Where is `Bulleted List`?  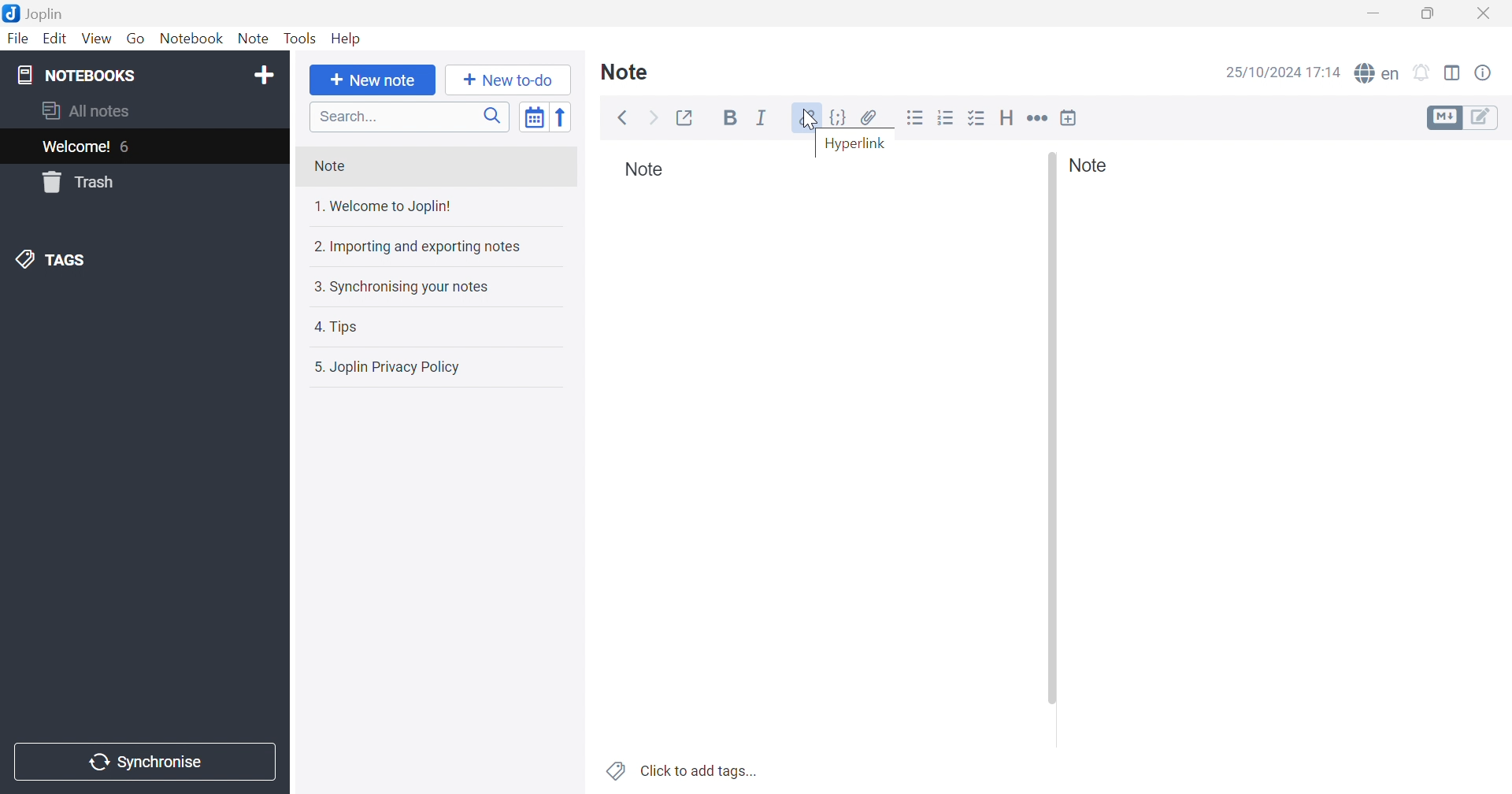 Bulleted List is located at coordinates (915, 117).